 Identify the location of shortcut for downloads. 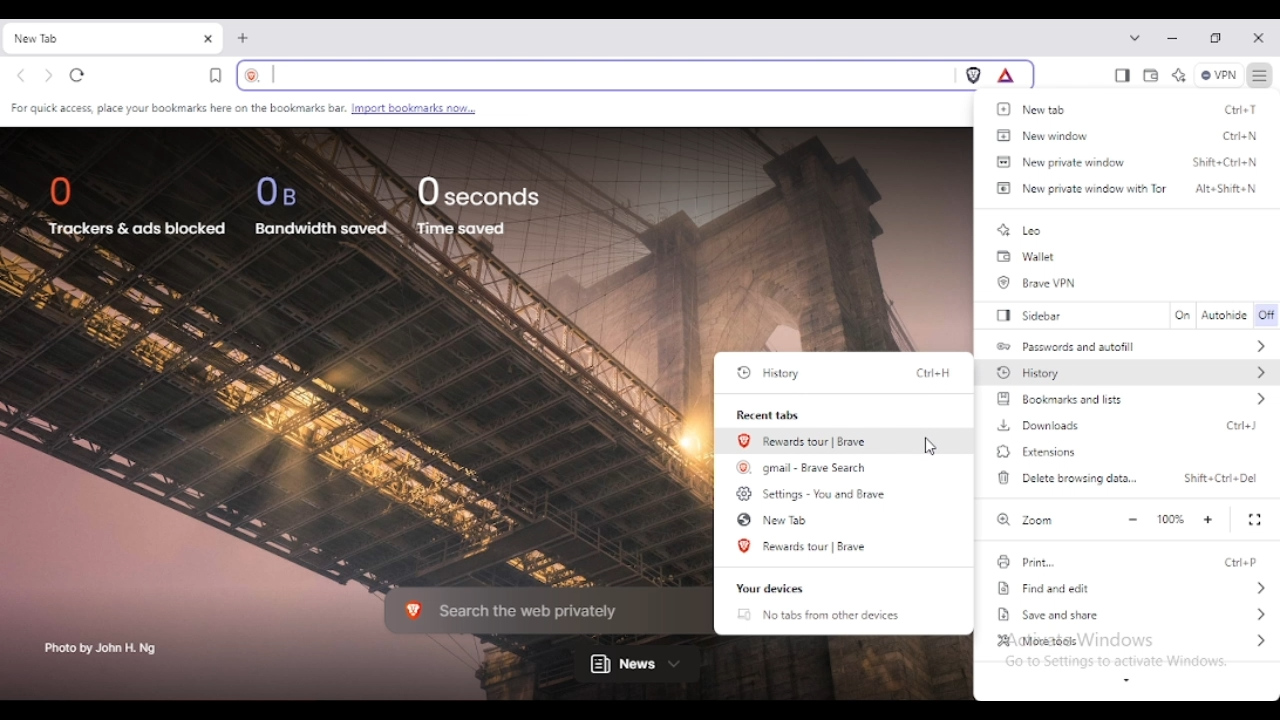
(1242, 425).